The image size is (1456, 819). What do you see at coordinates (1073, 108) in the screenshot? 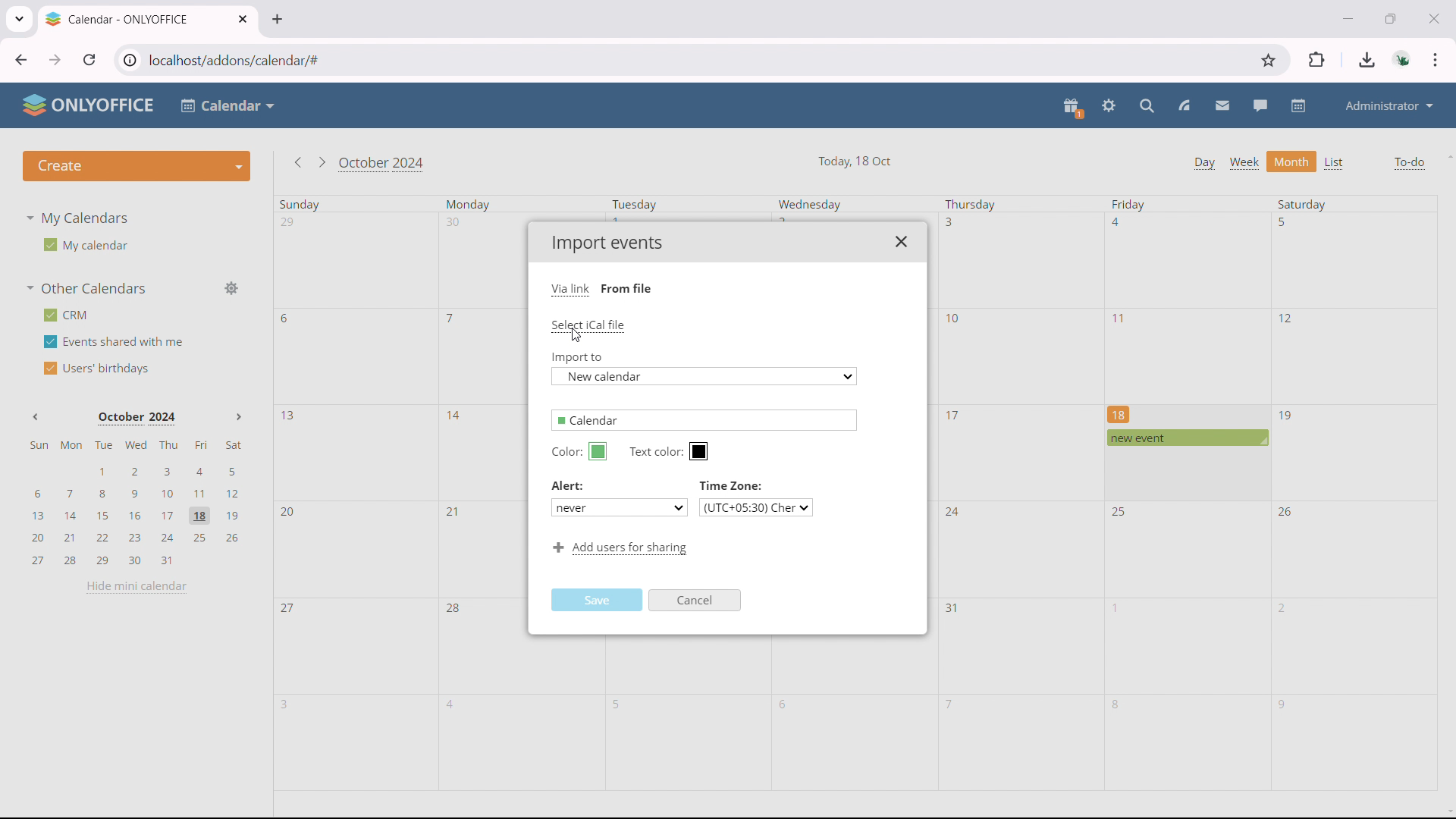
I see `present` at bounding box center [1073, 108].